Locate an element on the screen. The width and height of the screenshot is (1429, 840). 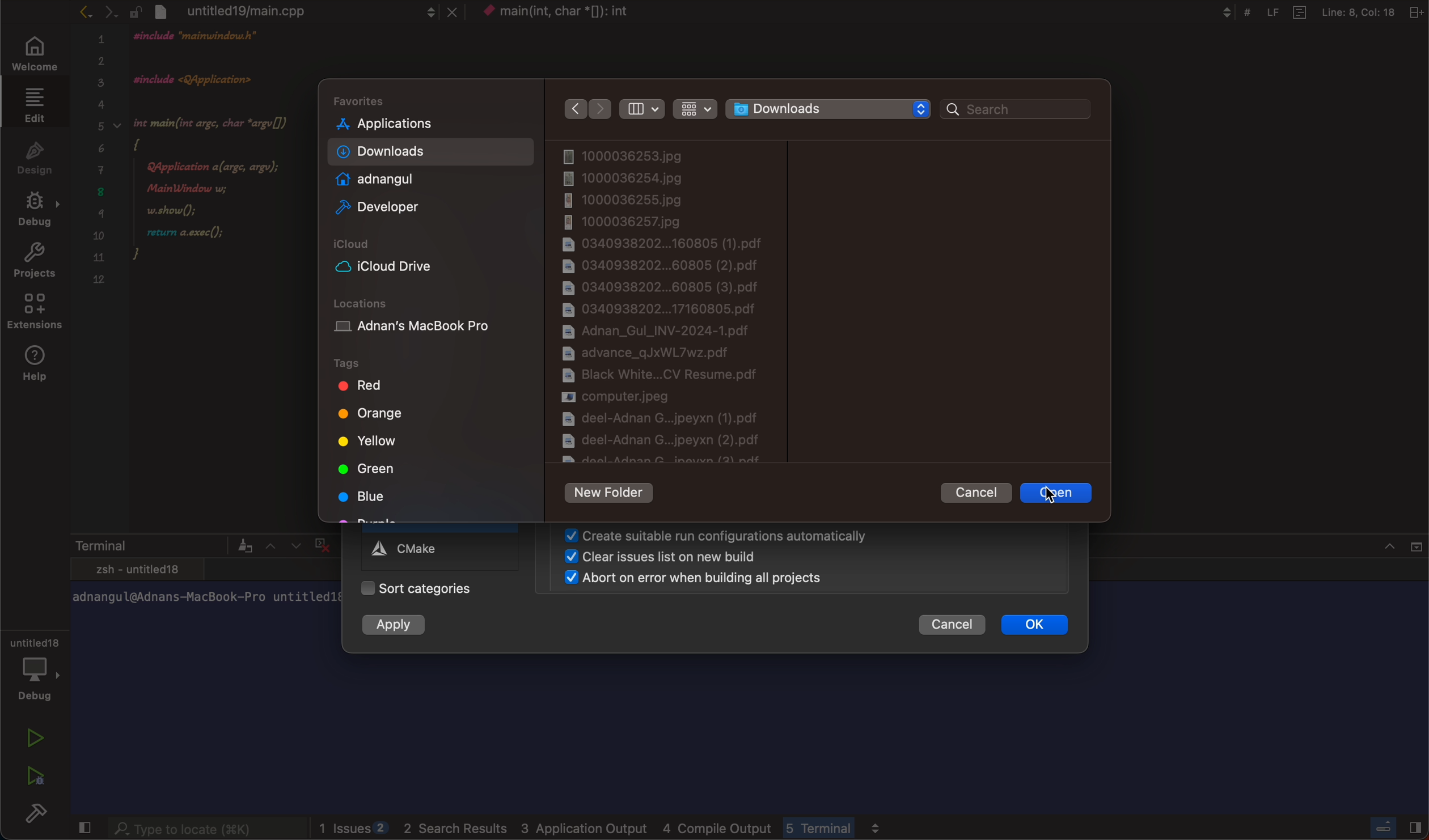
cancel is located at coordinates (953, 624).